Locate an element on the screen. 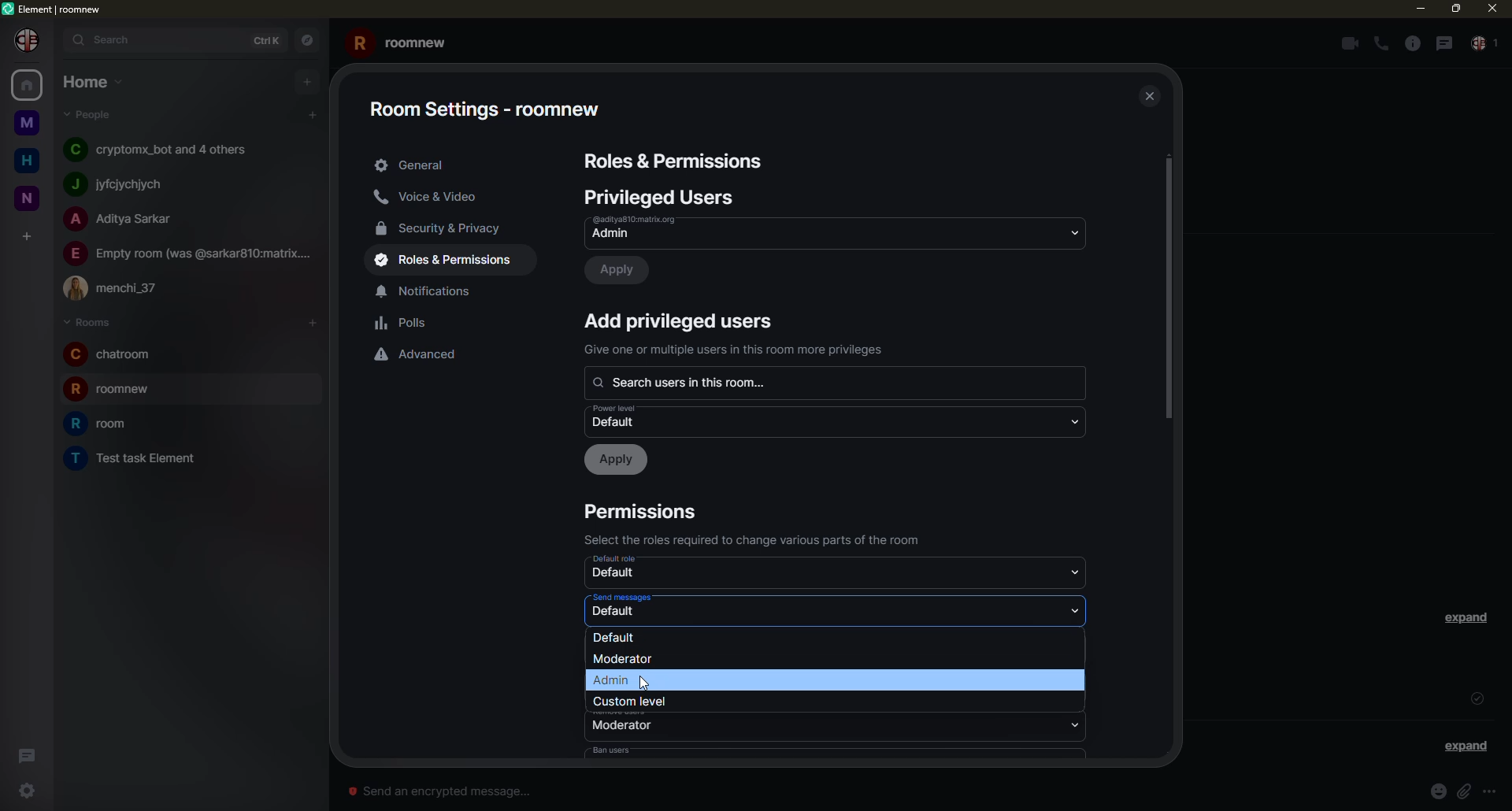 This screenshot has height=811, width=1512. quick settings is located at coordinates (23, 791).